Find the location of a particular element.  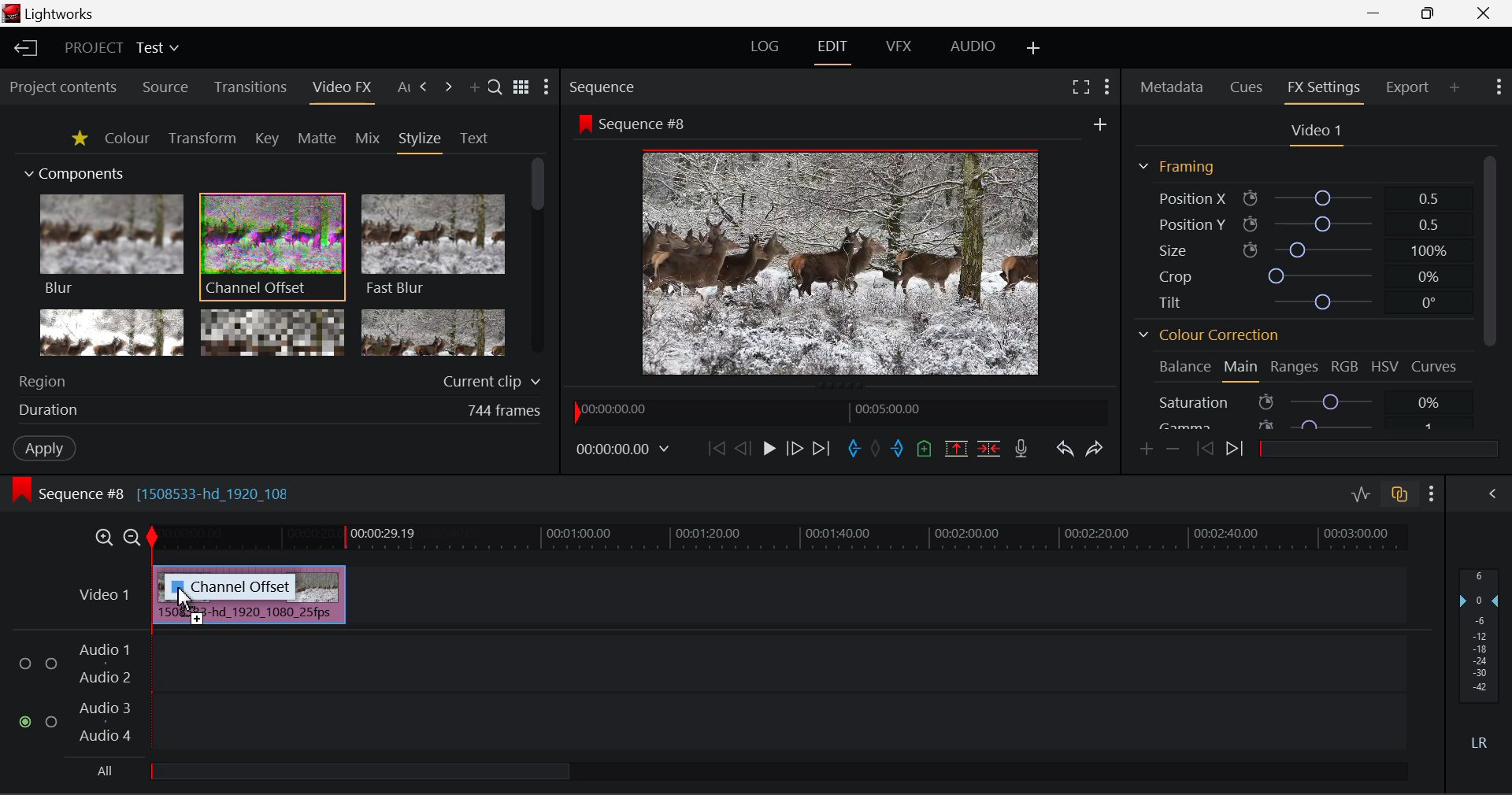

Toggle between title and list view is located at coordinates (521, 84).